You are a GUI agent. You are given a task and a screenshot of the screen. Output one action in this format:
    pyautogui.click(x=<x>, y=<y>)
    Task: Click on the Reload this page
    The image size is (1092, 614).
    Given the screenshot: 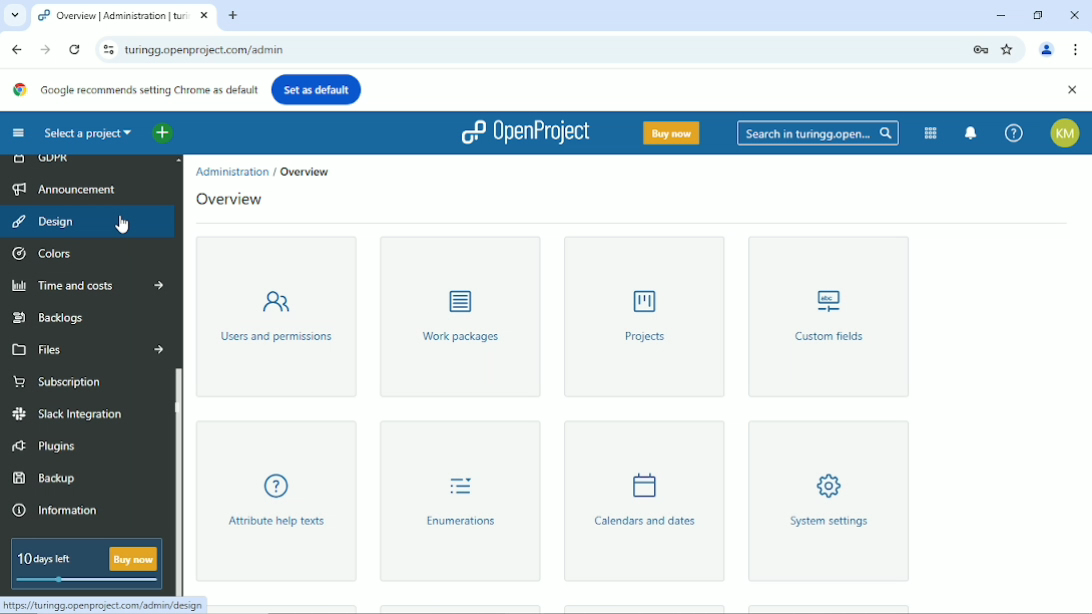 What is the action you would take?
    pyautogui.click(x=74, y=50)
    